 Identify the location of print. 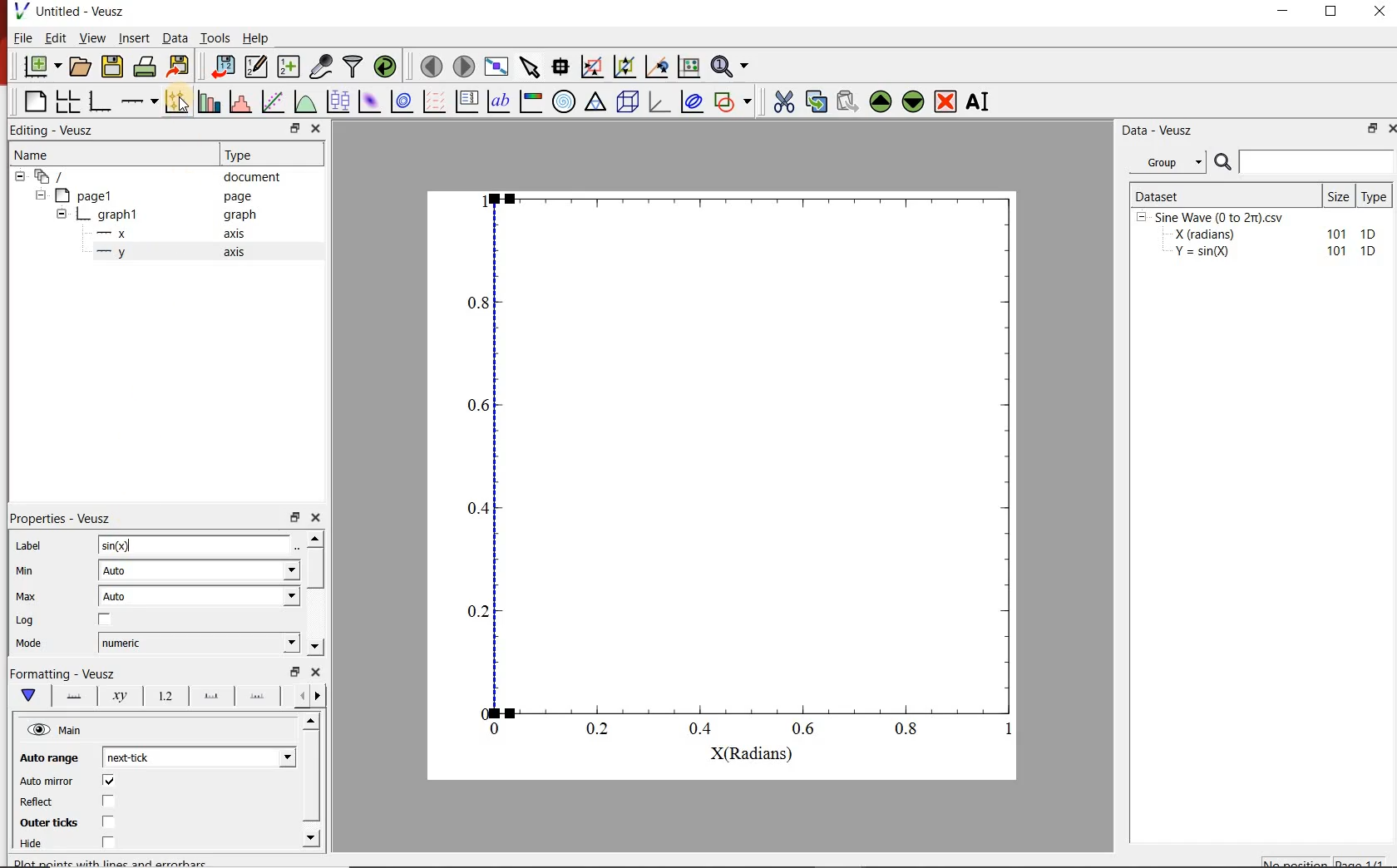
(146, 67).